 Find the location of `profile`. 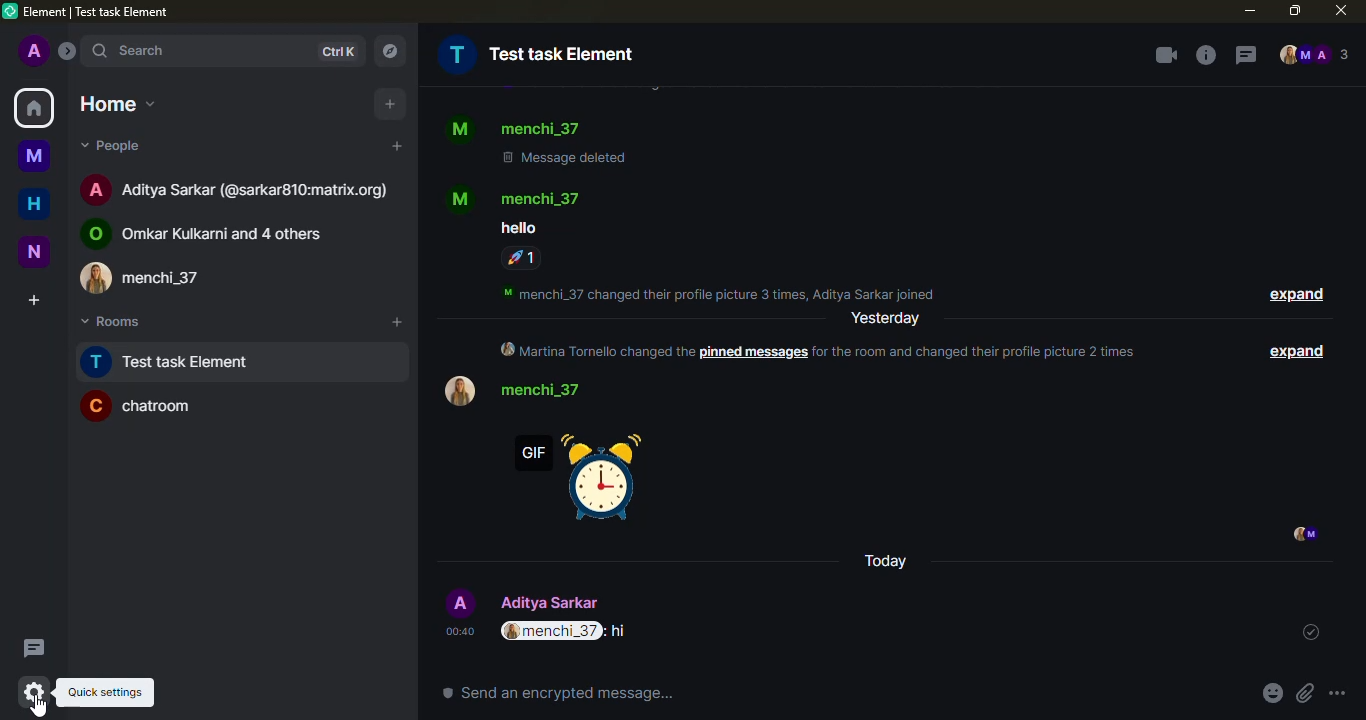

profile is located at coordinates (460, 603).